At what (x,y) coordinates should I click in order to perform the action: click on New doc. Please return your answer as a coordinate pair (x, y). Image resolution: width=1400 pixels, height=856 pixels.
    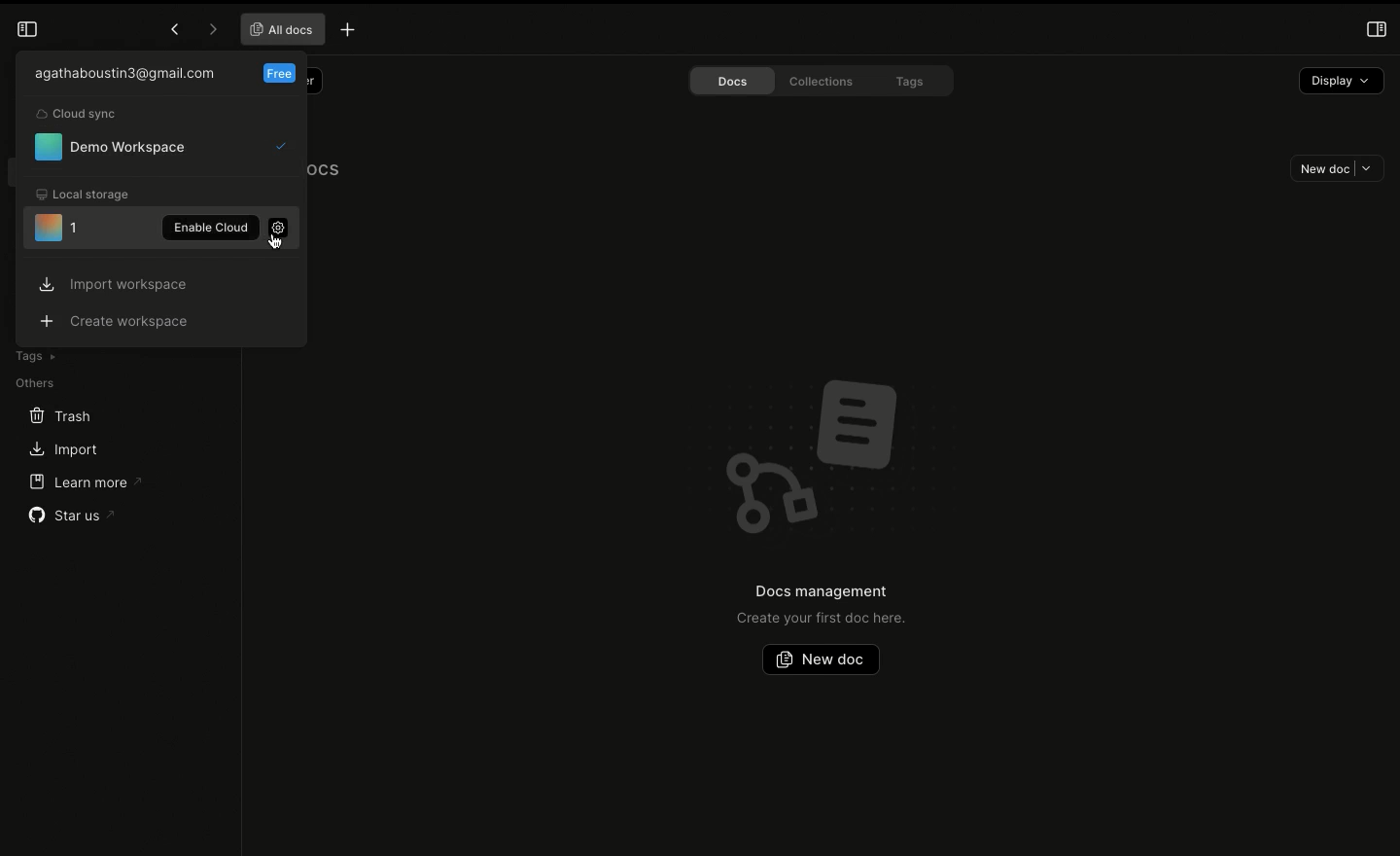
    Looking at the image, I should click on (820, 659).